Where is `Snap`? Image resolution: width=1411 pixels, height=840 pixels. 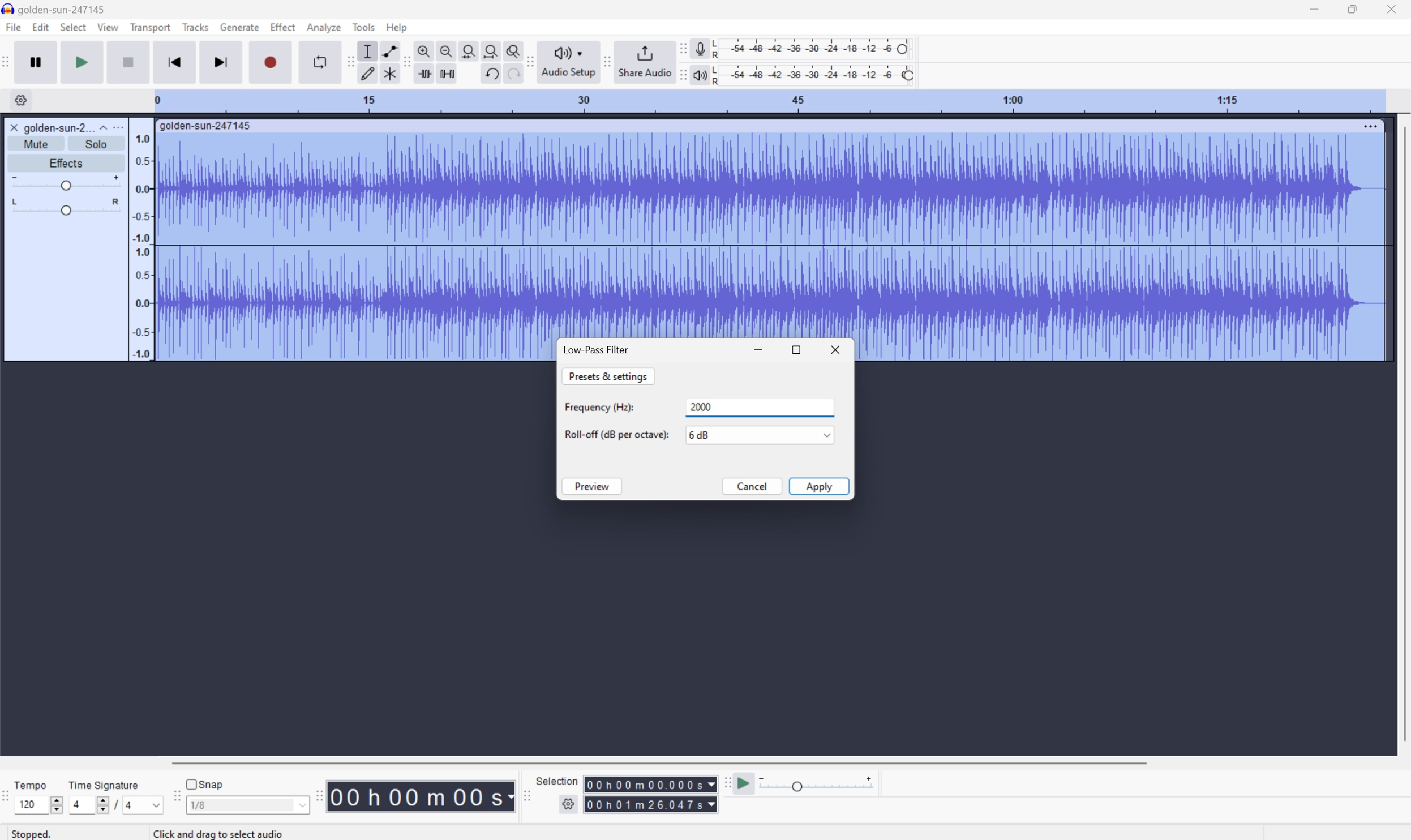
Snap is located at coordinates (205, 783).